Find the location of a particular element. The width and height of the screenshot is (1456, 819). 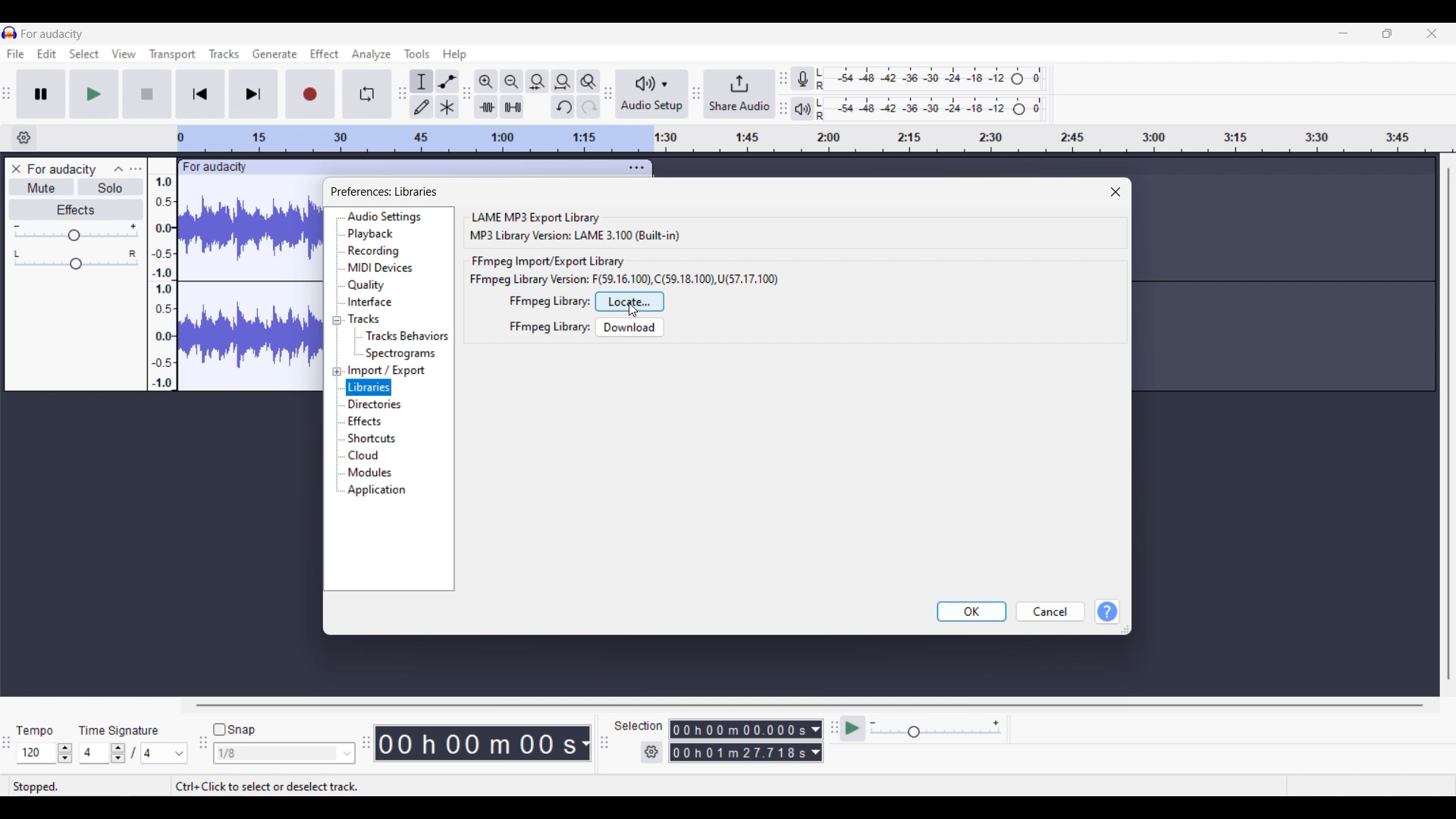

time signature is located at coordinates (118, 731).